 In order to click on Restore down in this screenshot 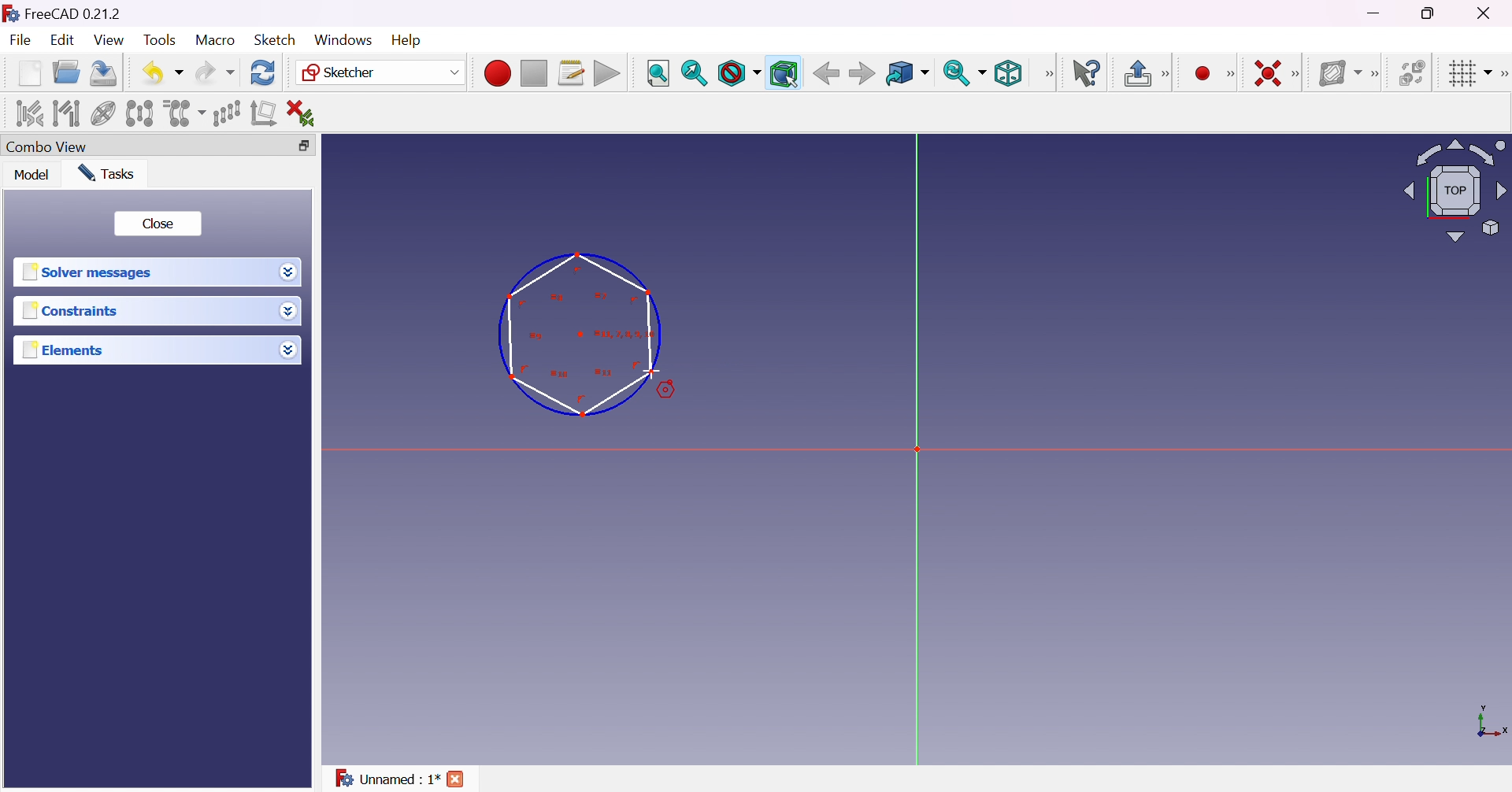, I will do `click(312, 146)`.